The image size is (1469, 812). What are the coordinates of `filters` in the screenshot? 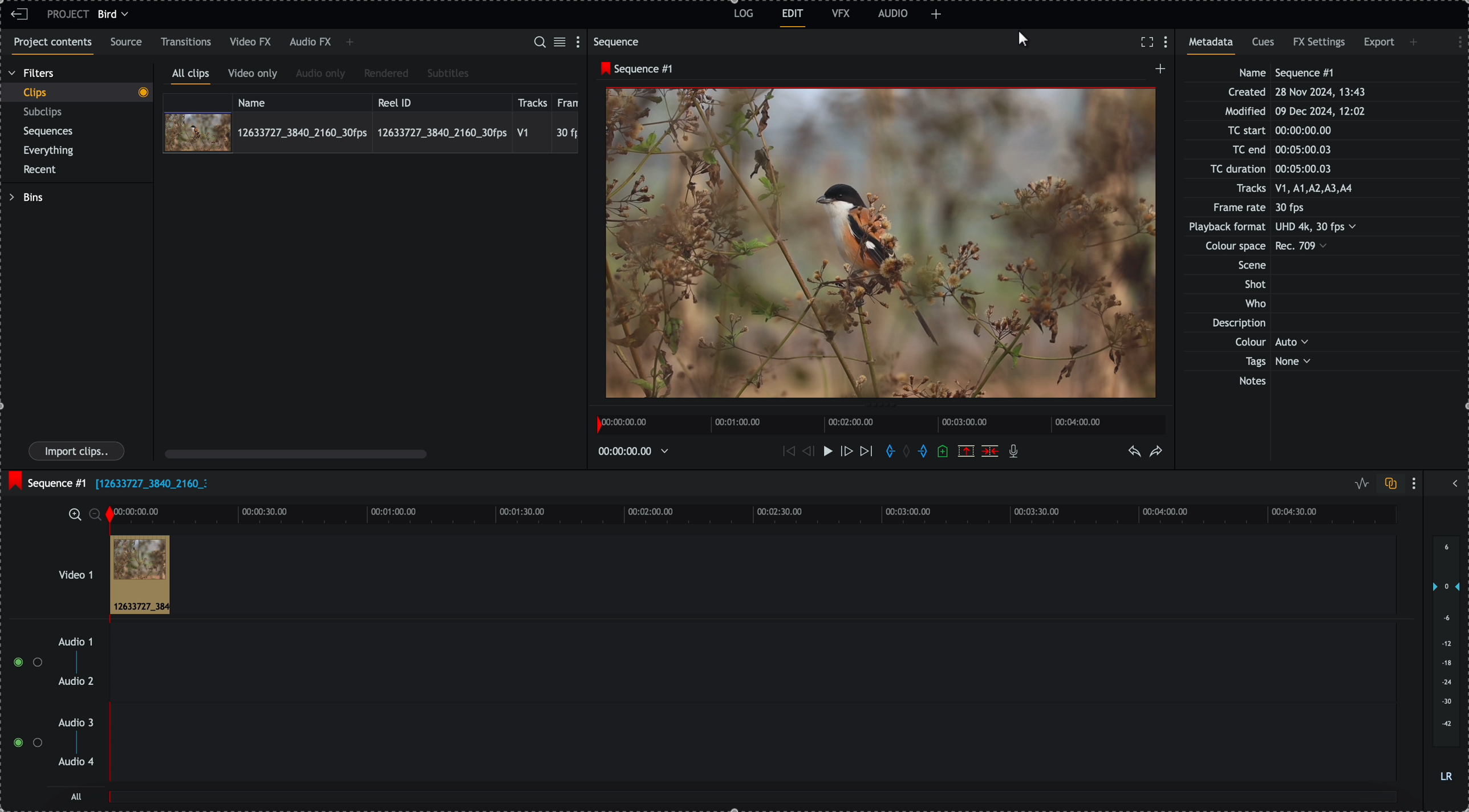 It's located at (33, 74).